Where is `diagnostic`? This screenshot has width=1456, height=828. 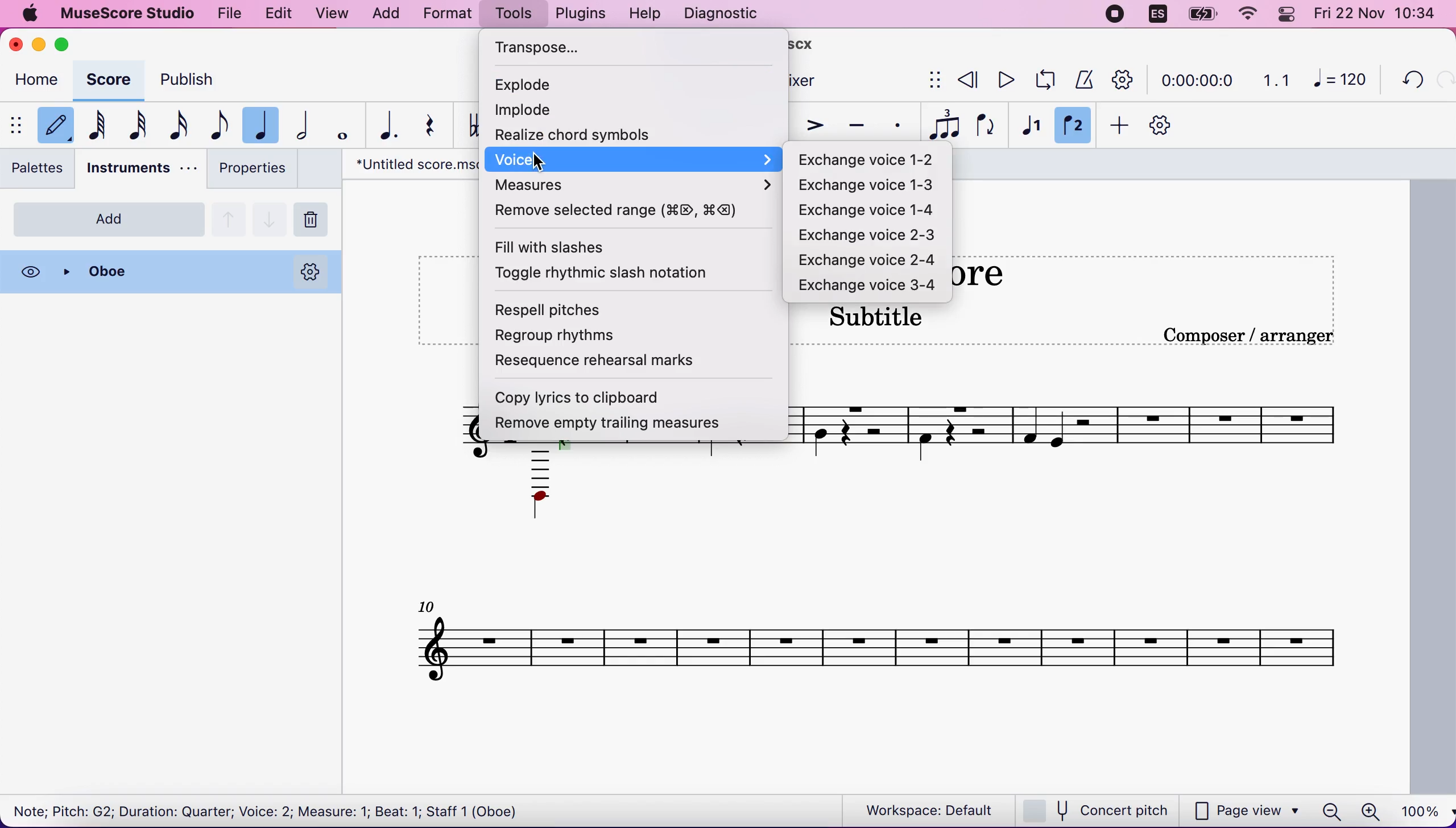
diagnostic is located at coordinates (729, 14).